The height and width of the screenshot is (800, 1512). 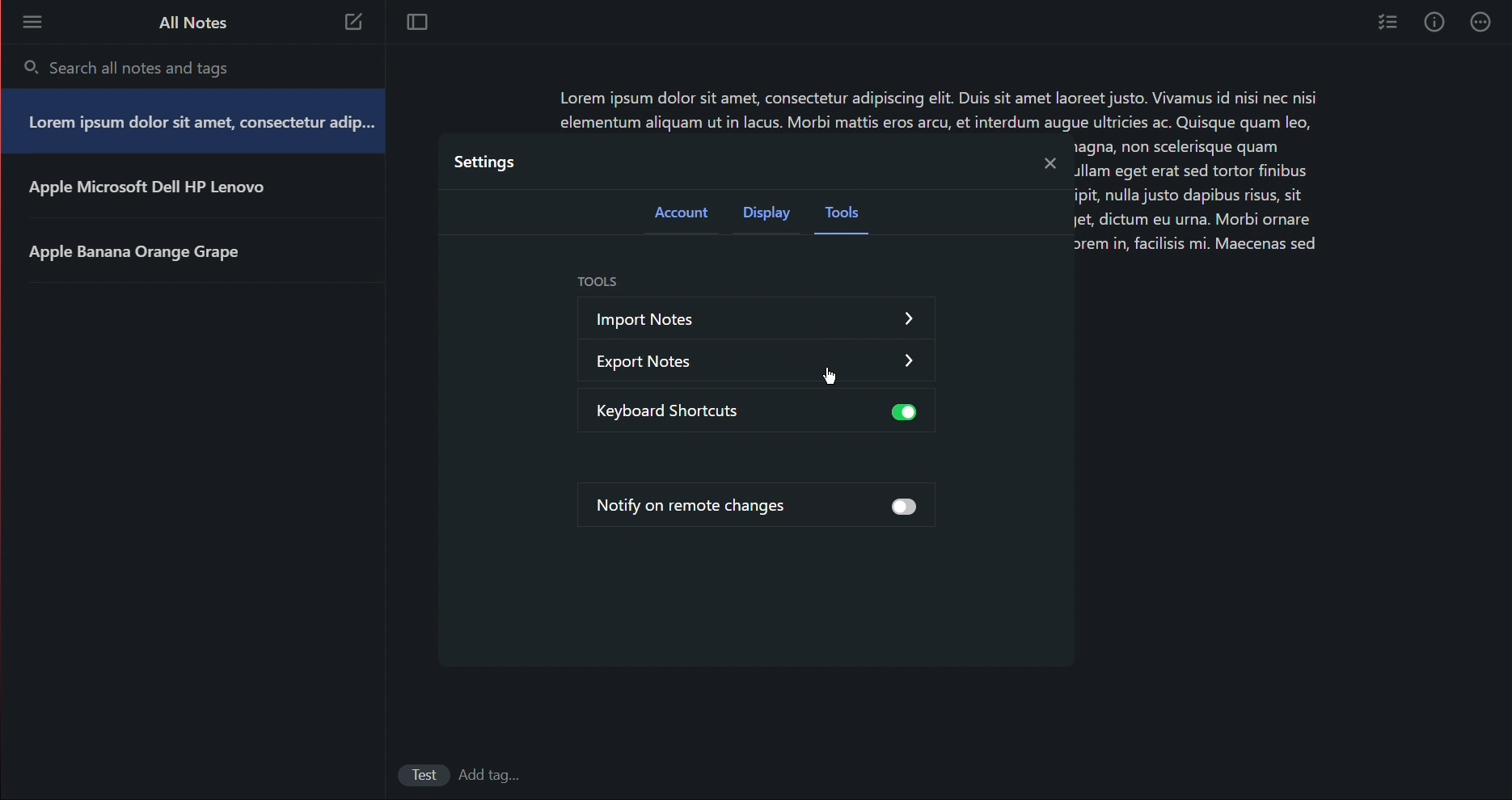 I want to click on All Notes, so click(x=190, y=24).